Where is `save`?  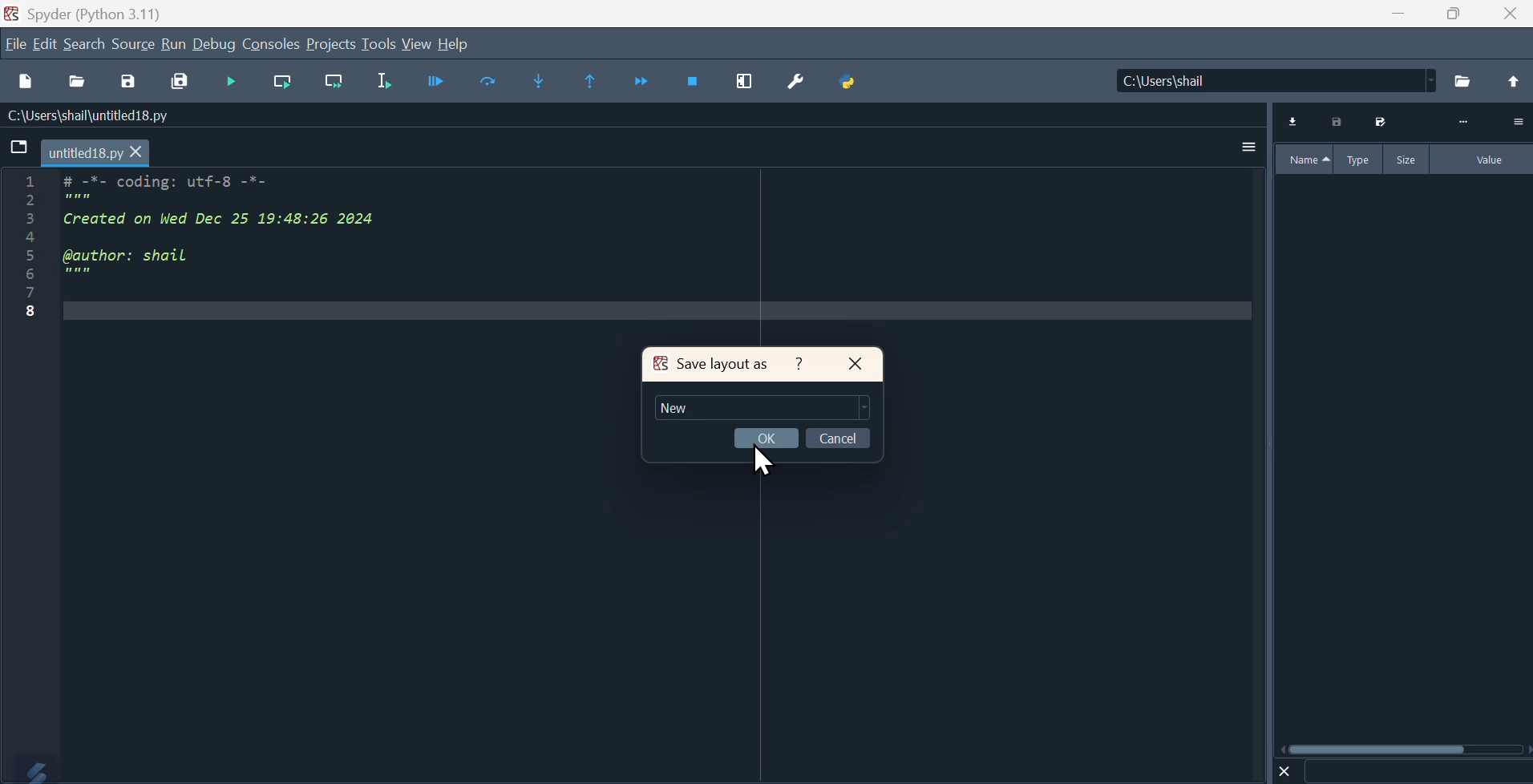 save is located at coordinates (127, 84).